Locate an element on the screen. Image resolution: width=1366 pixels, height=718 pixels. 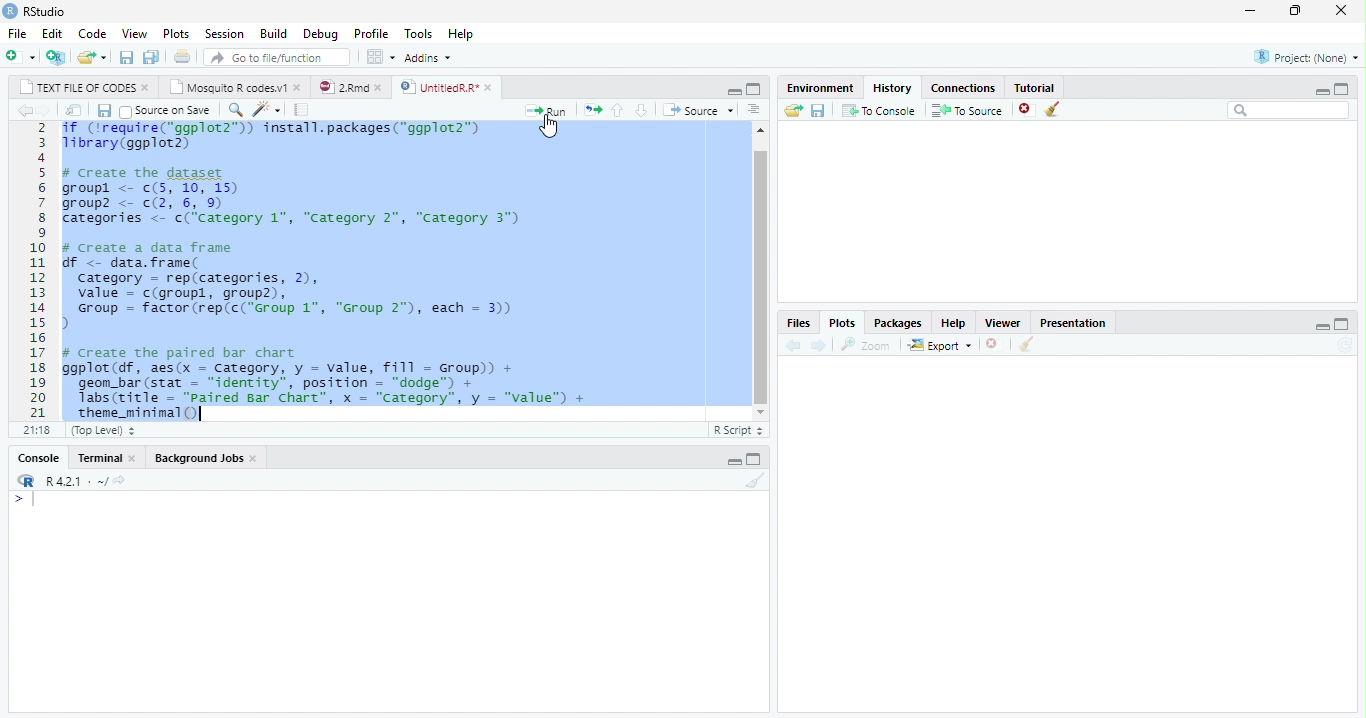
code is located at coordinates (89, 32).